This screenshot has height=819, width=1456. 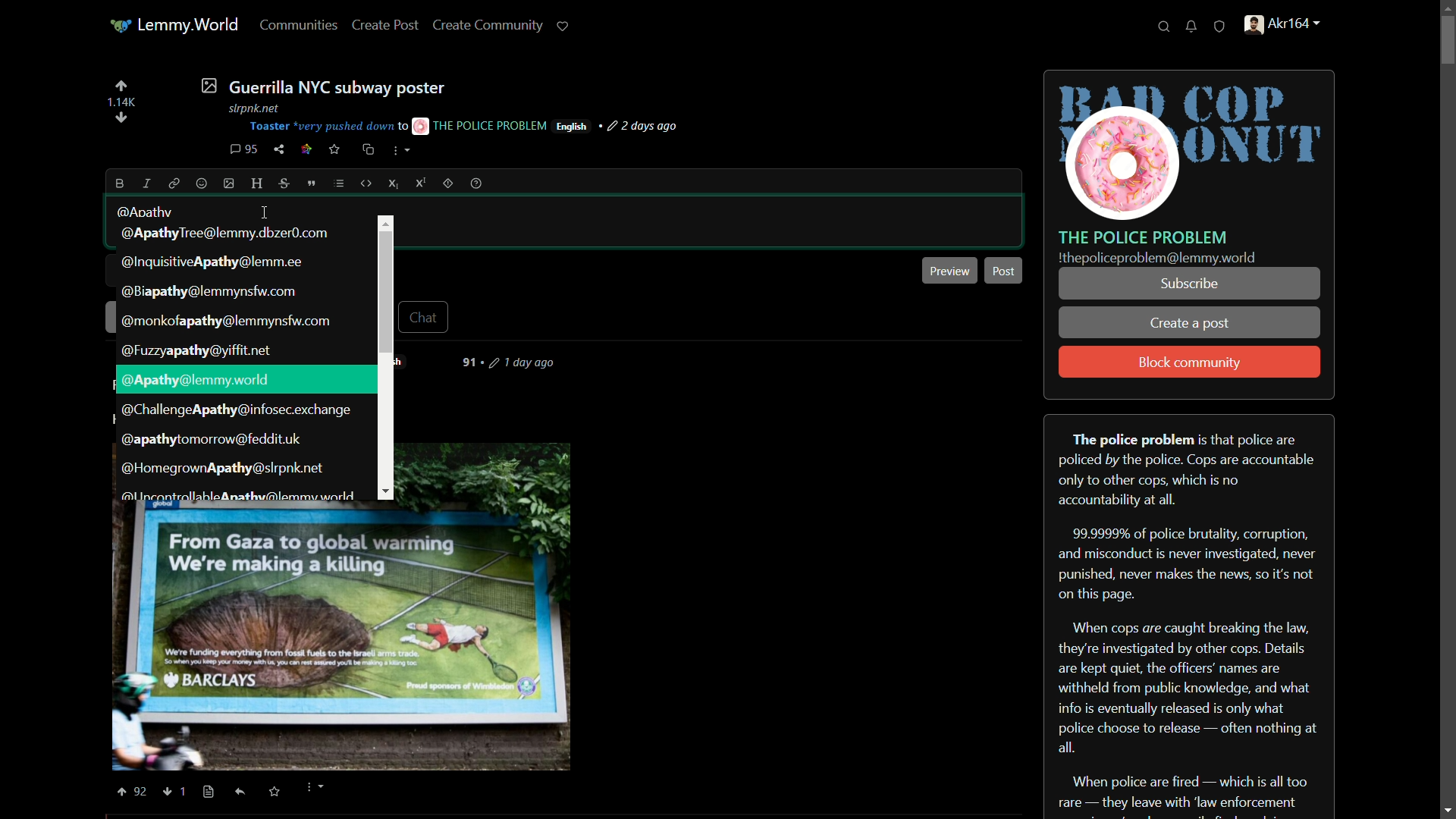 I want to click on suggestion-8, so click(x=211, y=441).